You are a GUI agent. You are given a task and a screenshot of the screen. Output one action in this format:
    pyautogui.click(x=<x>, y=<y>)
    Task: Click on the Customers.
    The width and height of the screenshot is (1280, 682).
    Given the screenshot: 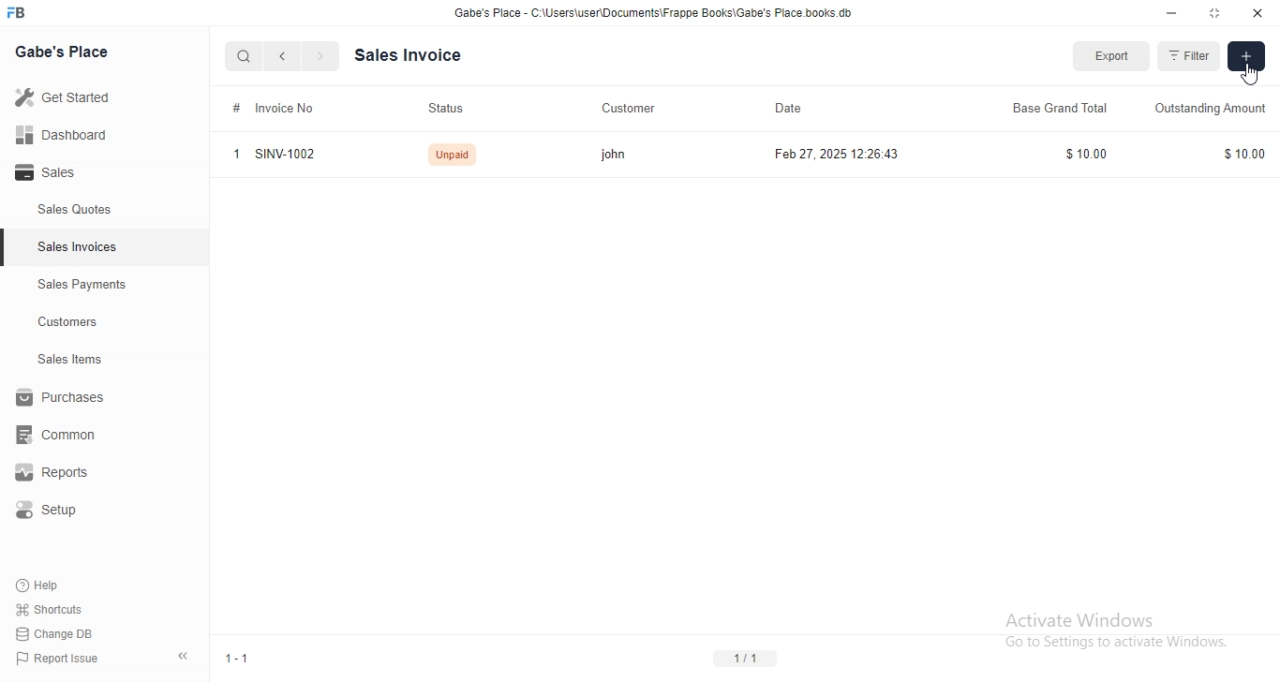 What is the action you would take?
    pyautogui.click(x=62, y=324)
    